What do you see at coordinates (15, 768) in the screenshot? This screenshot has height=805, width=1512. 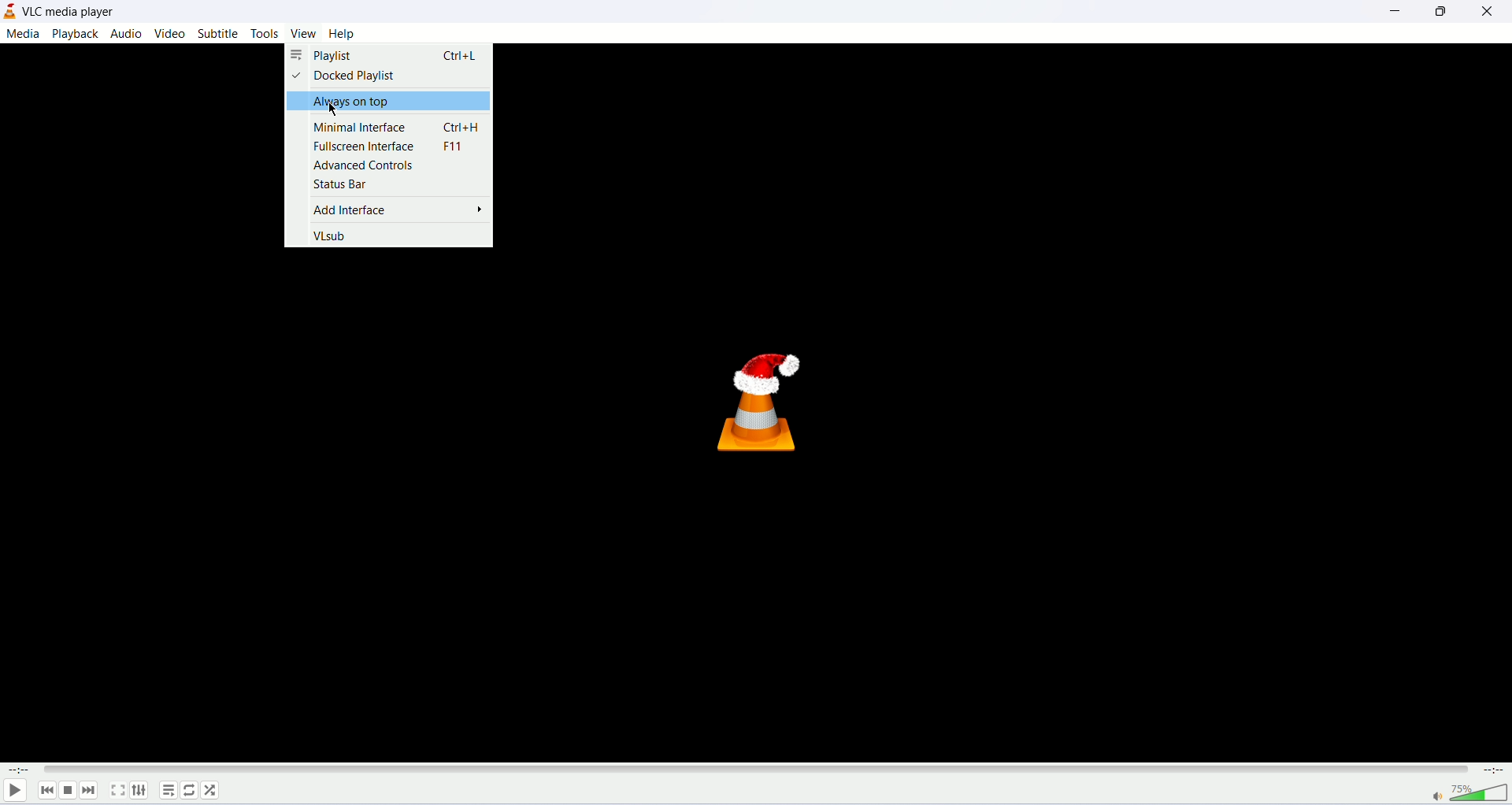 I see `played time` at bounding box center [15, 768].